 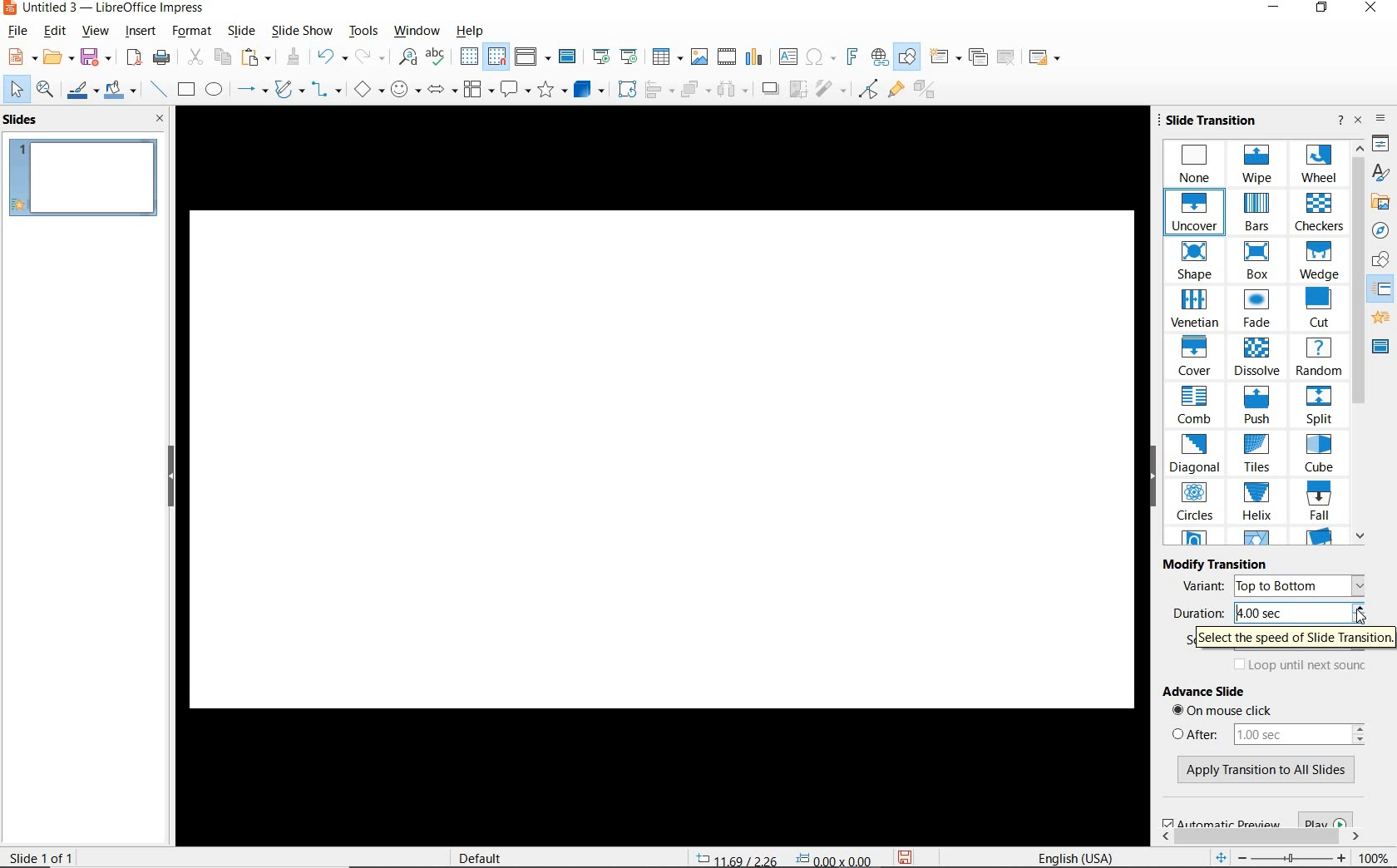 What do you see at coordinates (26, 121) in the screenshot?
I see `SLIDES` at bounding box center [26, 121].